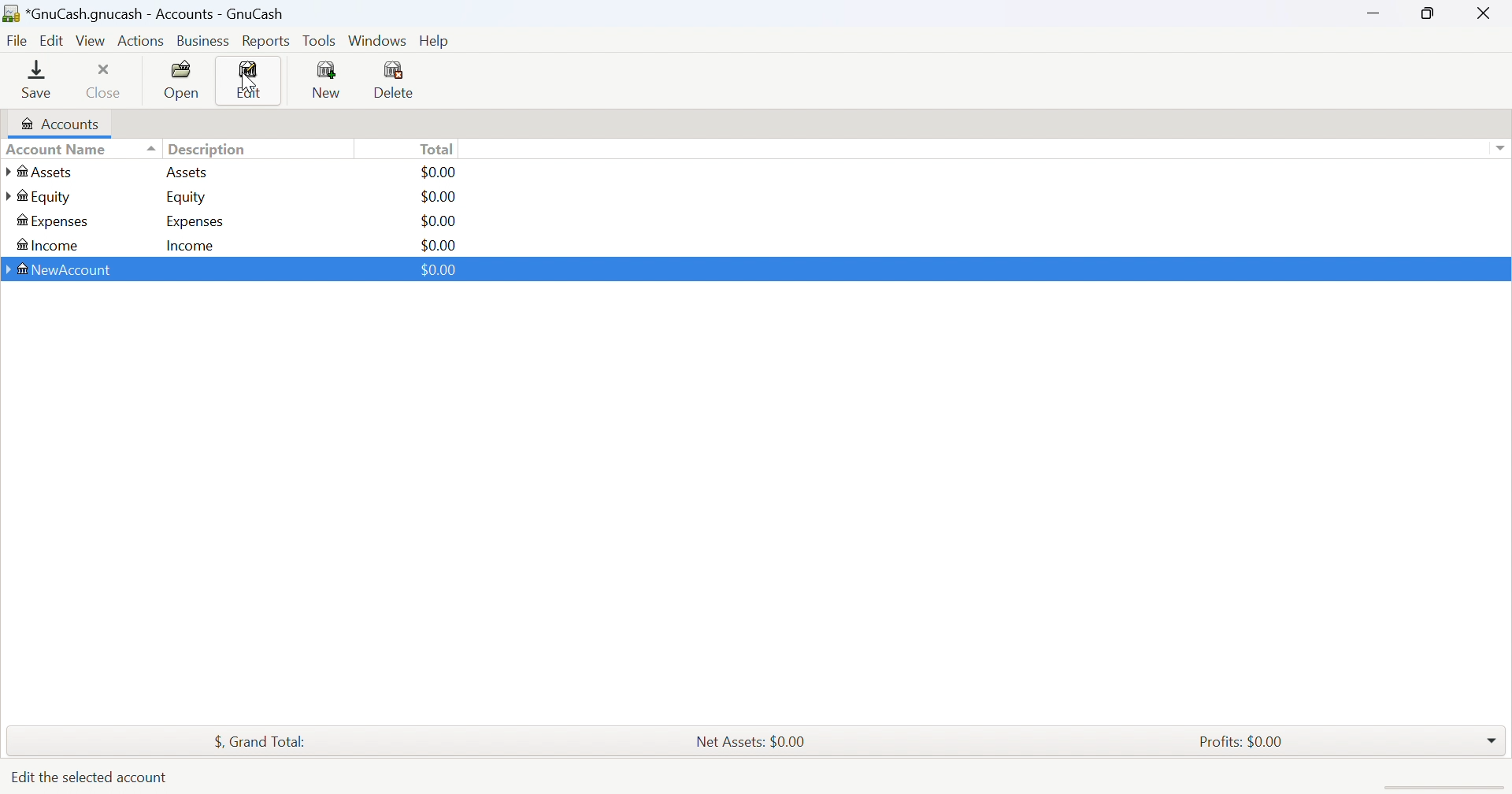  What do you see at coordinates (46, 247) in the screenshot?
I see `Income` at bounding box center [46, 247].